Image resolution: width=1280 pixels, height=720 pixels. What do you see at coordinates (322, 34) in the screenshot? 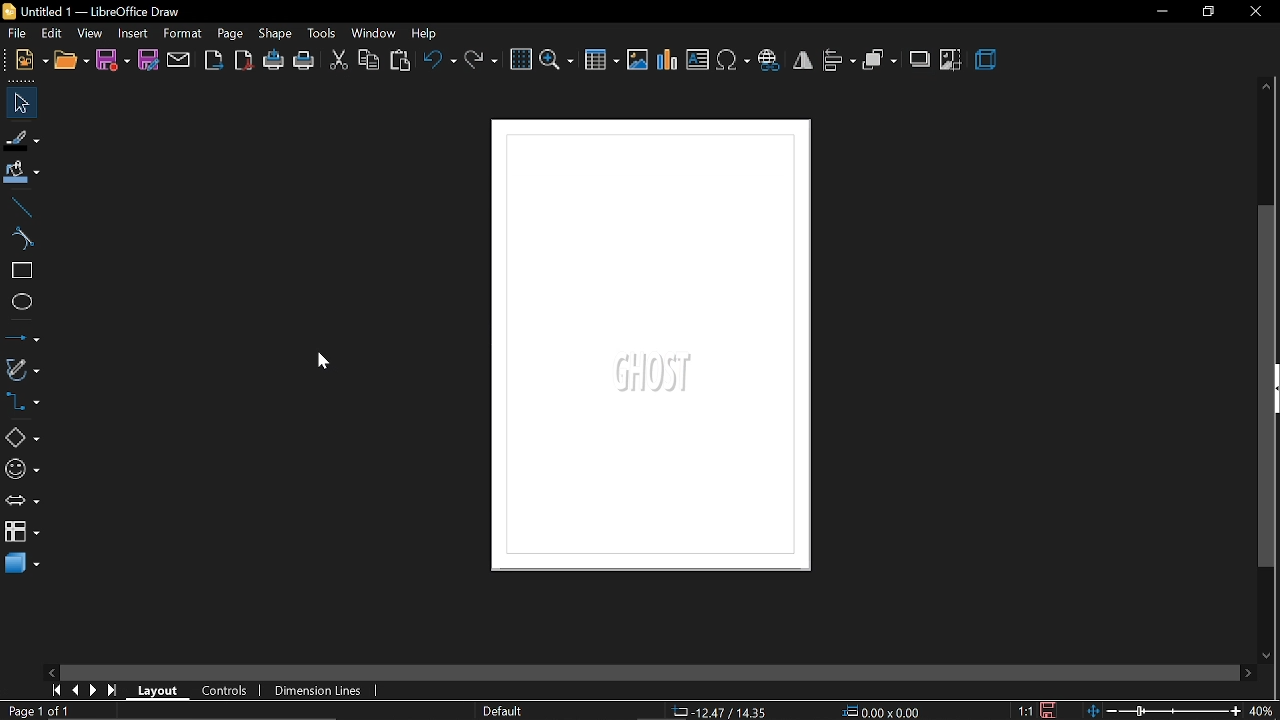
I see `tools` at bounding box center [322, 34].